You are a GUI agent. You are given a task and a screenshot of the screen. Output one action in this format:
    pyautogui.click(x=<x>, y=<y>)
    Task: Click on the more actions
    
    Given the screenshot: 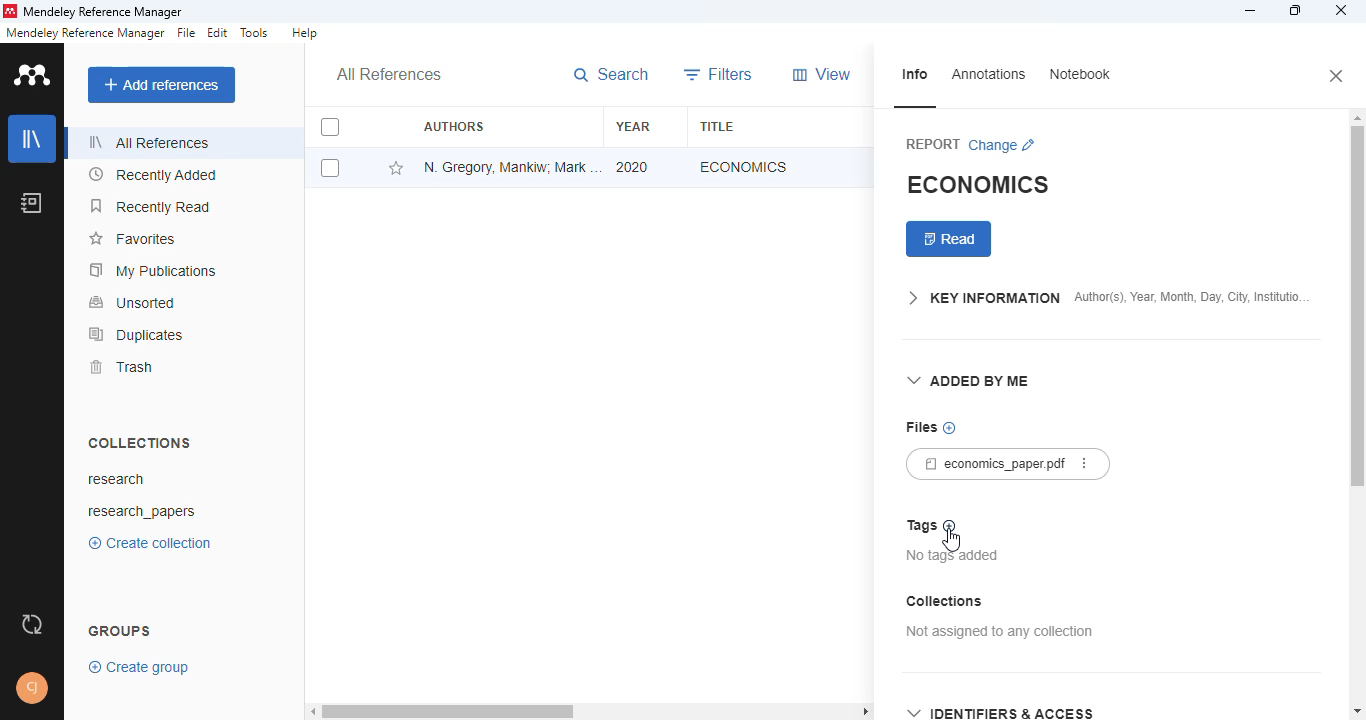 What is the action you would take?
    pyautogui.click(x=1084, y=463)
    